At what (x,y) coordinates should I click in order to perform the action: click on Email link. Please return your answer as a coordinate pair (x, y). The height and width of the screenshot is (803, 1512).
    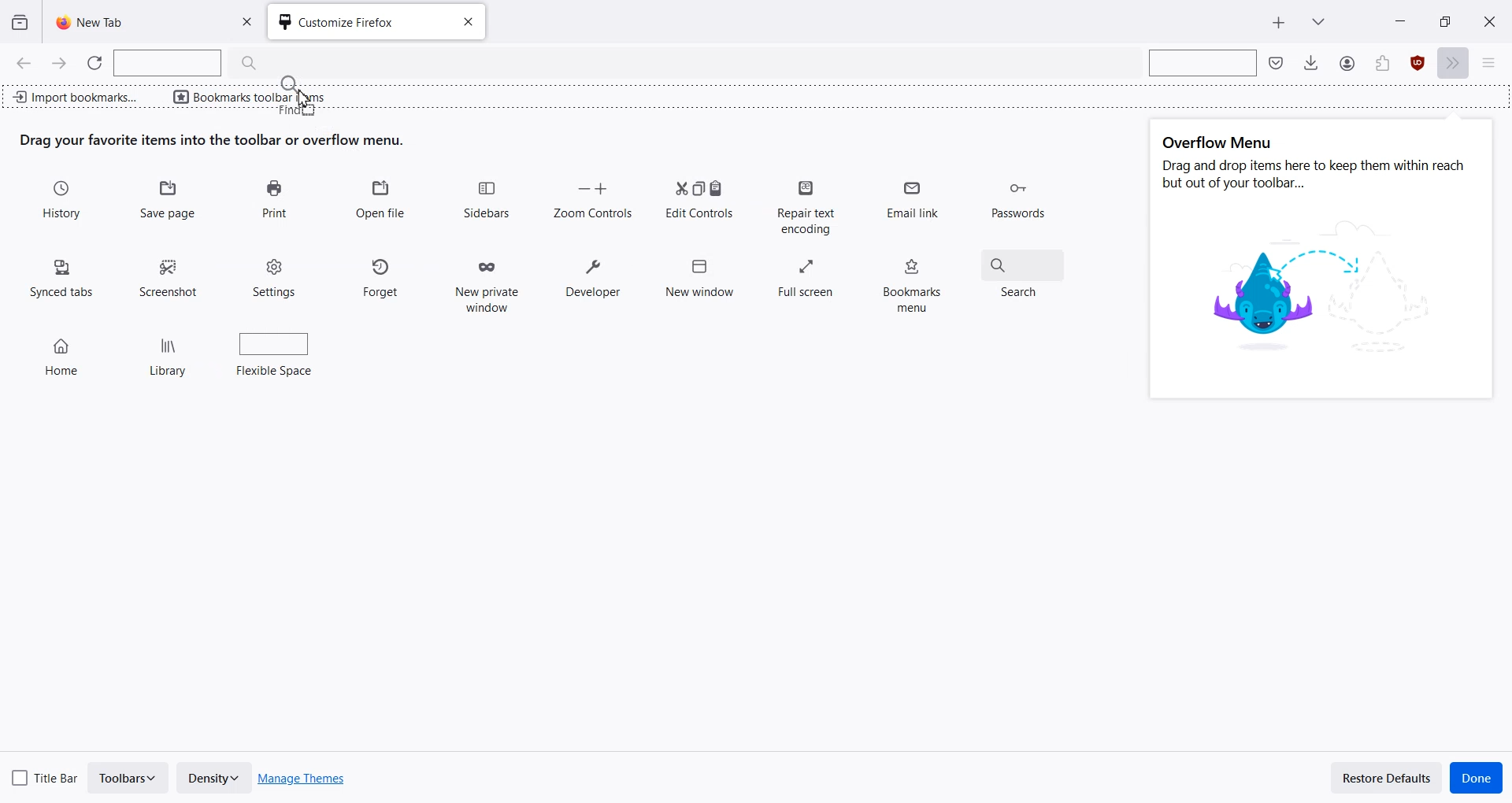
    Looking at the image, I should click on (915, 205).